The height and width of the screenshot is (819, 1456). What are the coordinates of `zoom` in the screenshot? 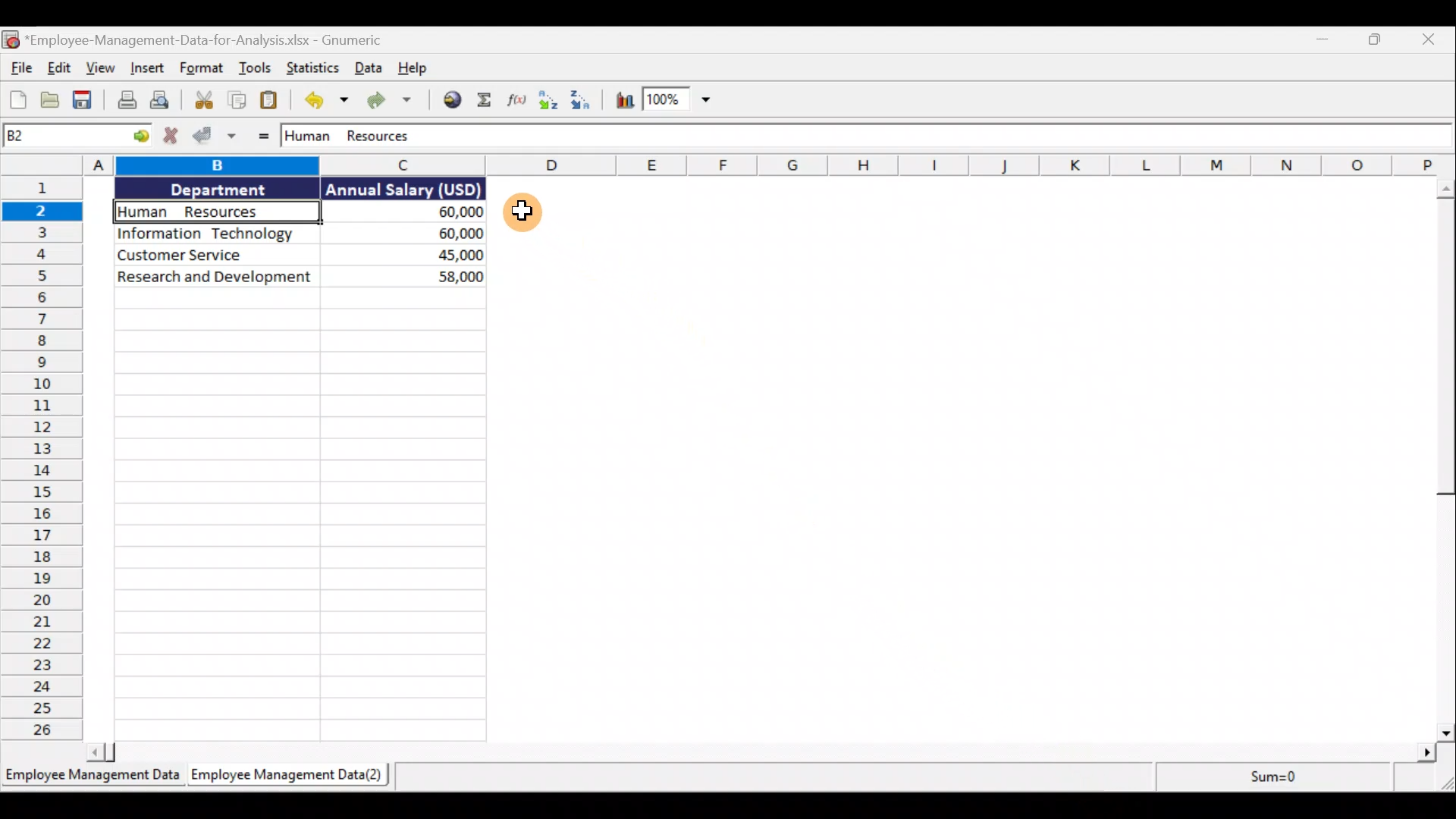 It's located at (687, 101).